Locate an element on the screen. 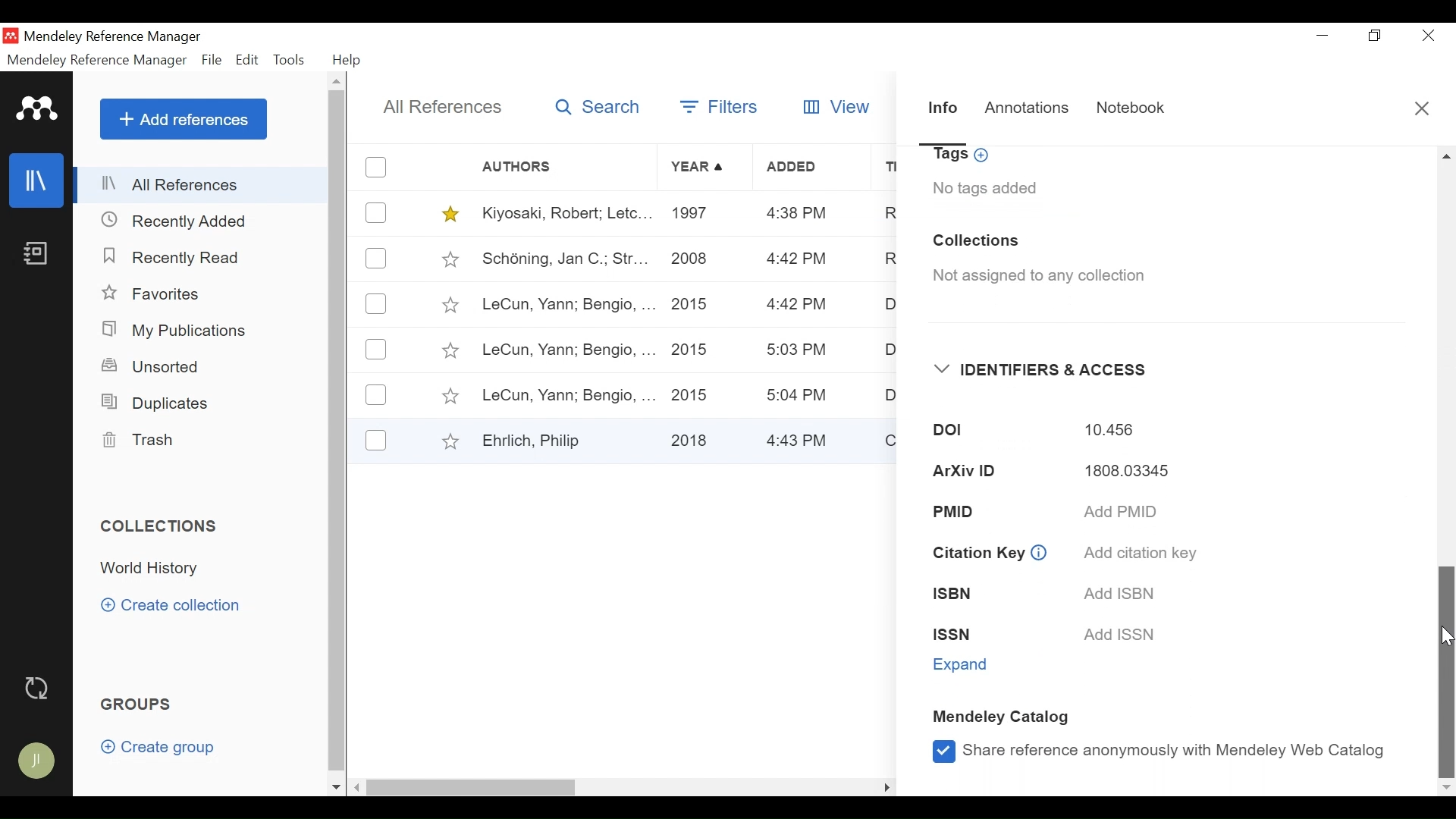 This screenshot has height=819, width=1456. Notebook is located at coordinates (34, 257).